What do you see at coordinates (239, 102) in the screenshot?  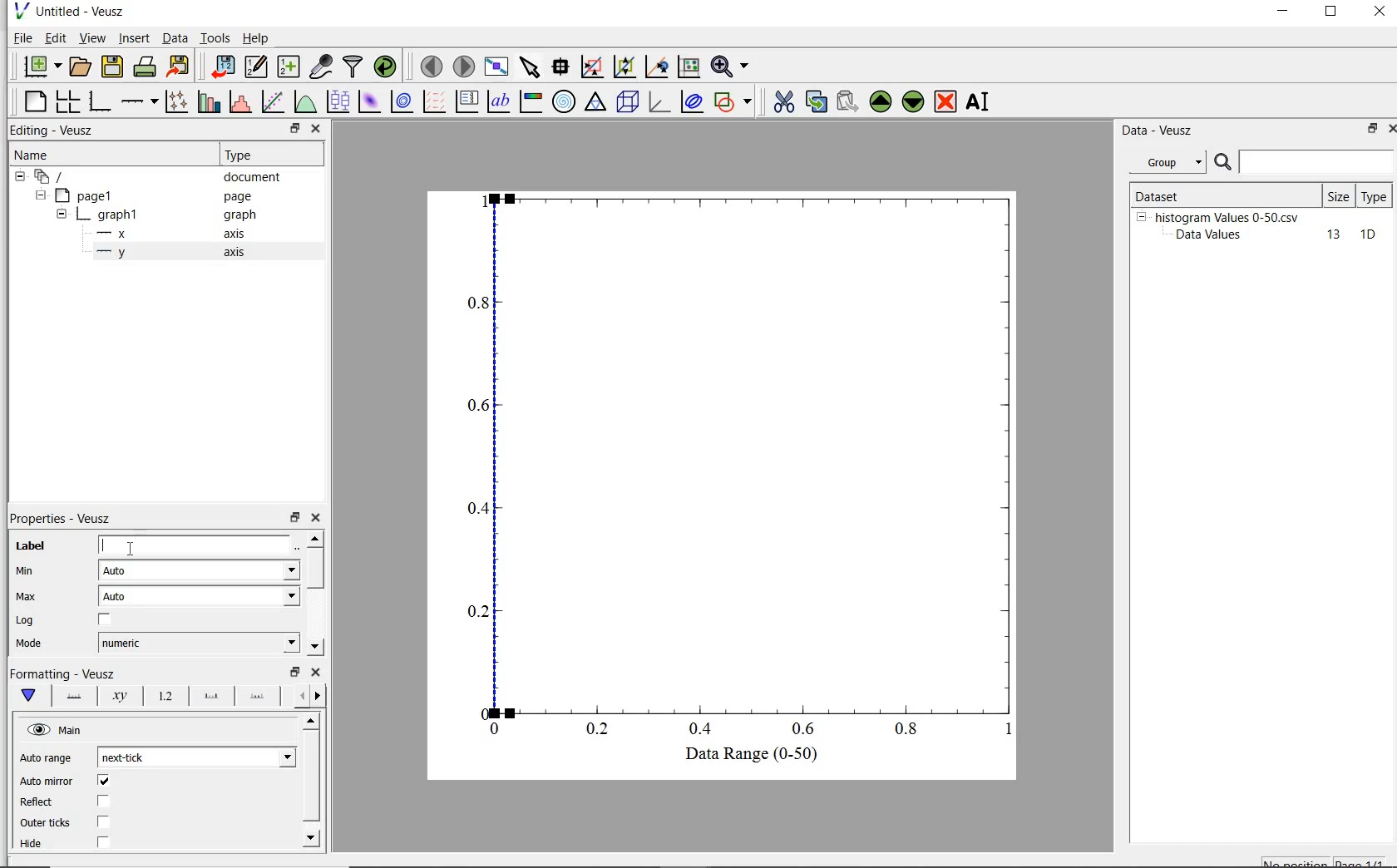 I see `histogram of a dataset` at bounding box center [239, 102].